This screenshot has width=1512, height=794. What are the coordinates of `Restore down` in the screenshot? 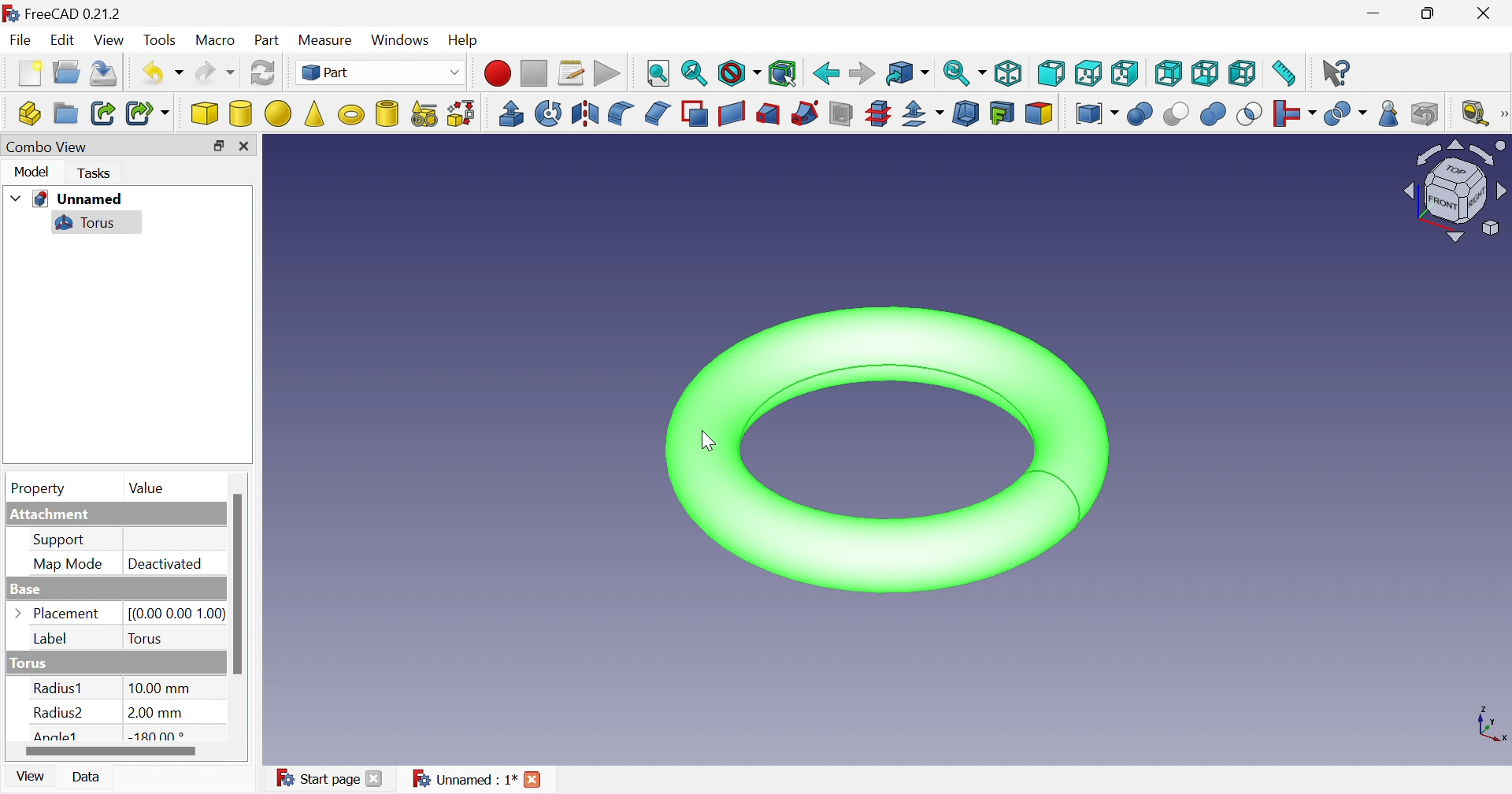 It's located at (216, 147).